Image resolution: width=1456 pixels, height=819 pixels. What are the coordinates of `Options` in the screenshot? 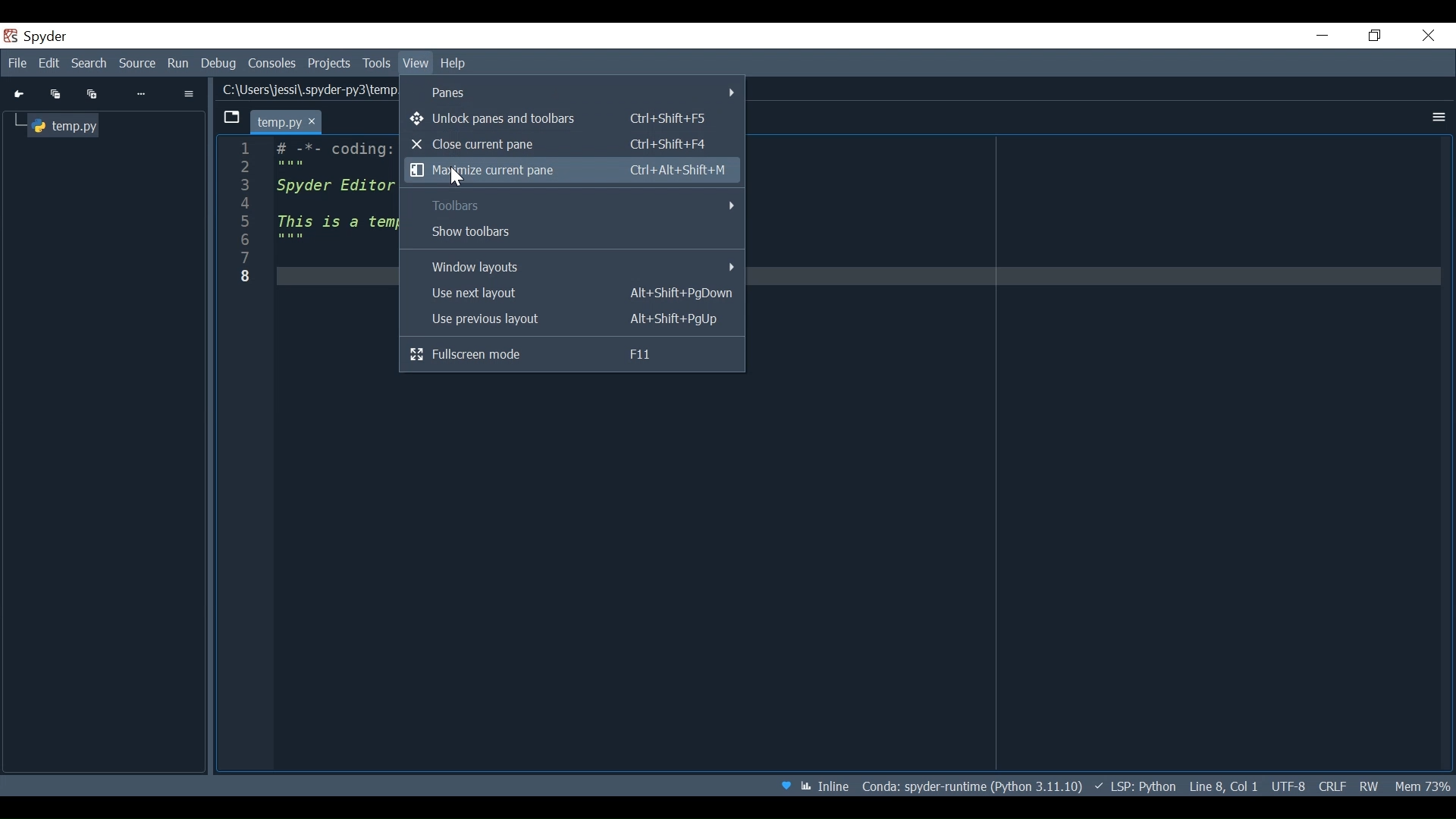 It's located at (190, 96).